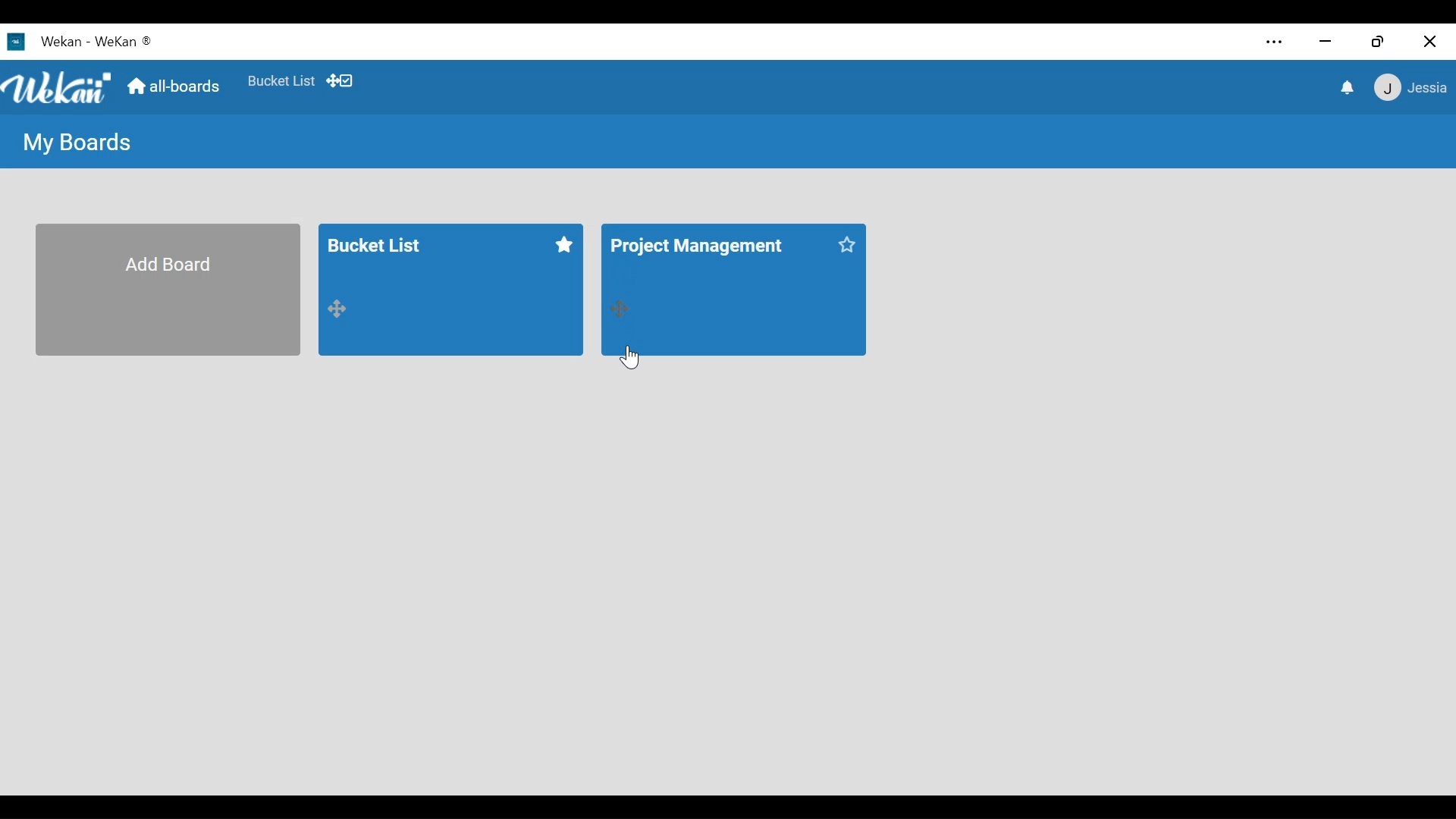 This screenshot has height=819, width=1456. Describe the element at coordinates (344, 80) in the screenshot. I see `Show desktop drag handles` at that location.